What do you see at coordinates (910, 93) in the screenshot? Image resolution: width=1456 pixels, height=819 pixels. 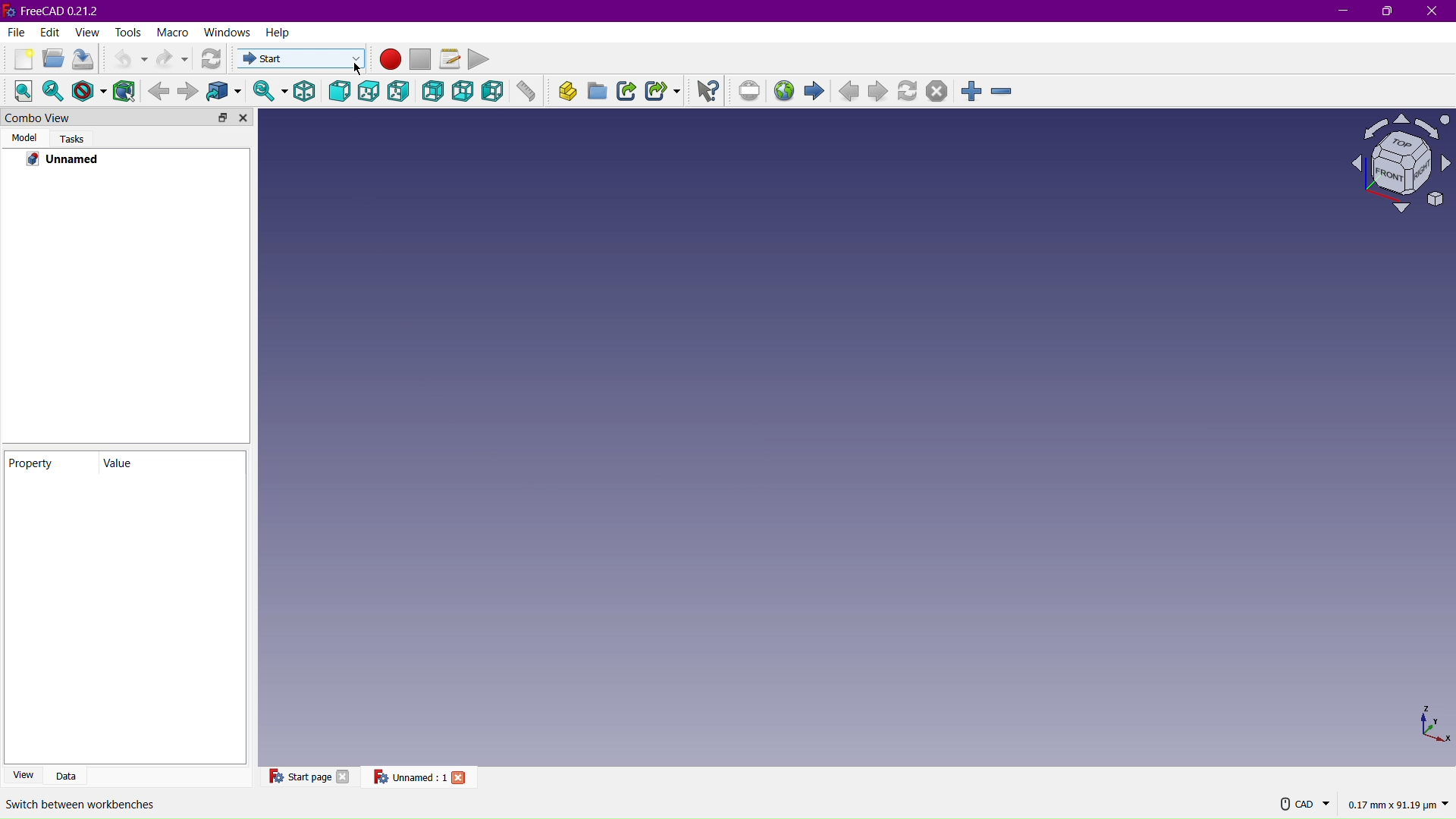 I see `Refresh webpage` at bounding box center [910, 93].